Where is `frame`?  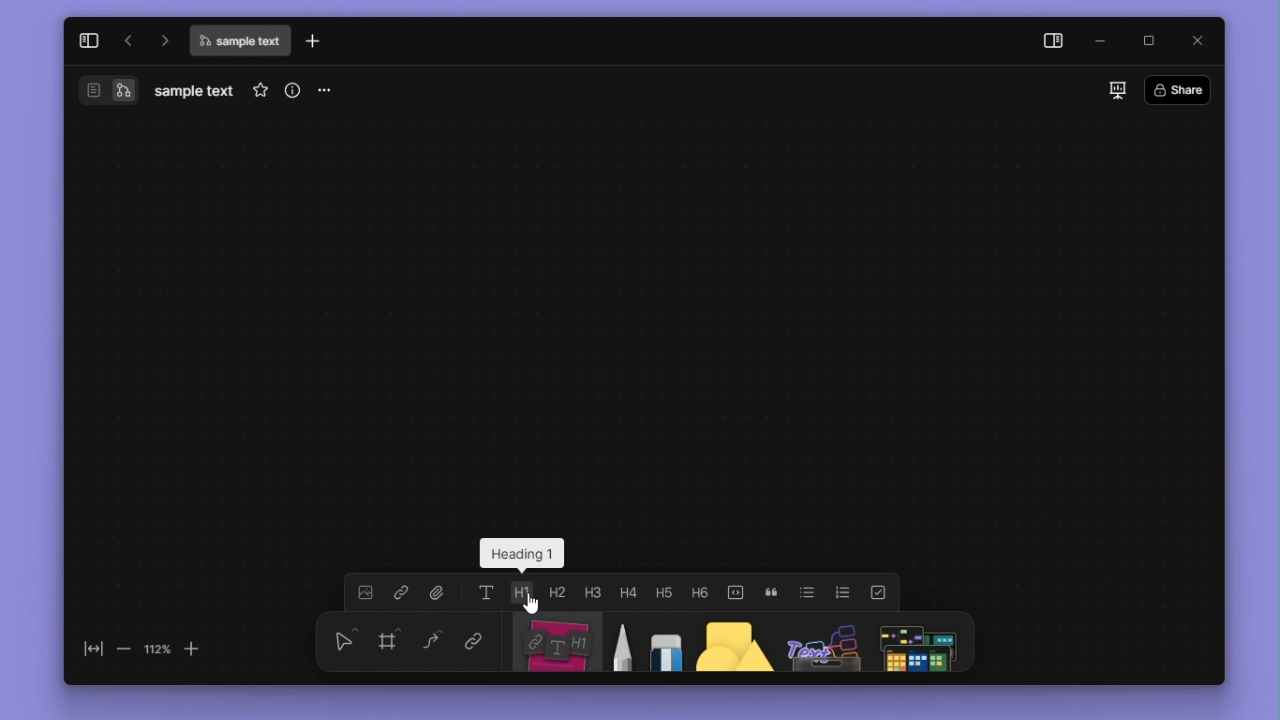
frame is located at coordinates (388, 639).